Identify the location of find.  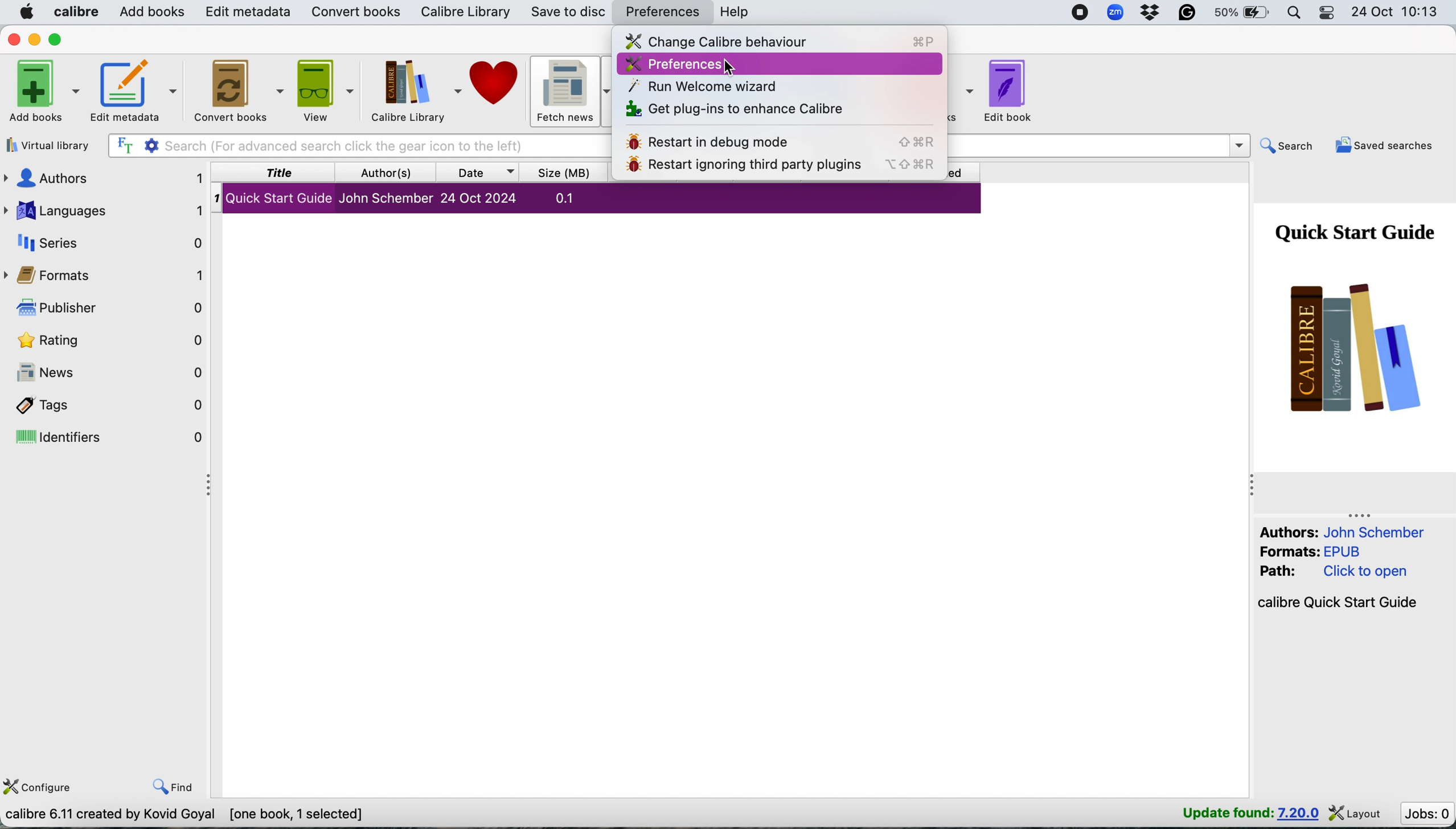
(175, 786).